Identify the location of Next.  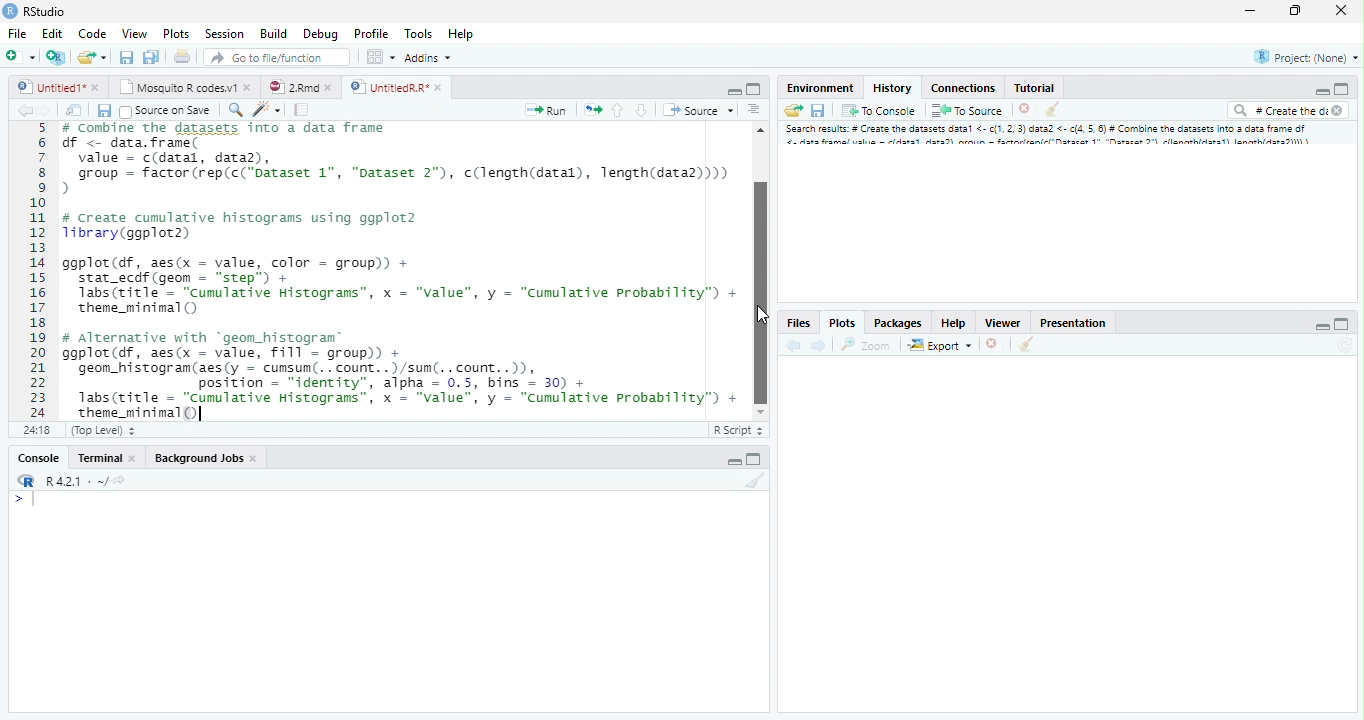
(818, 347).